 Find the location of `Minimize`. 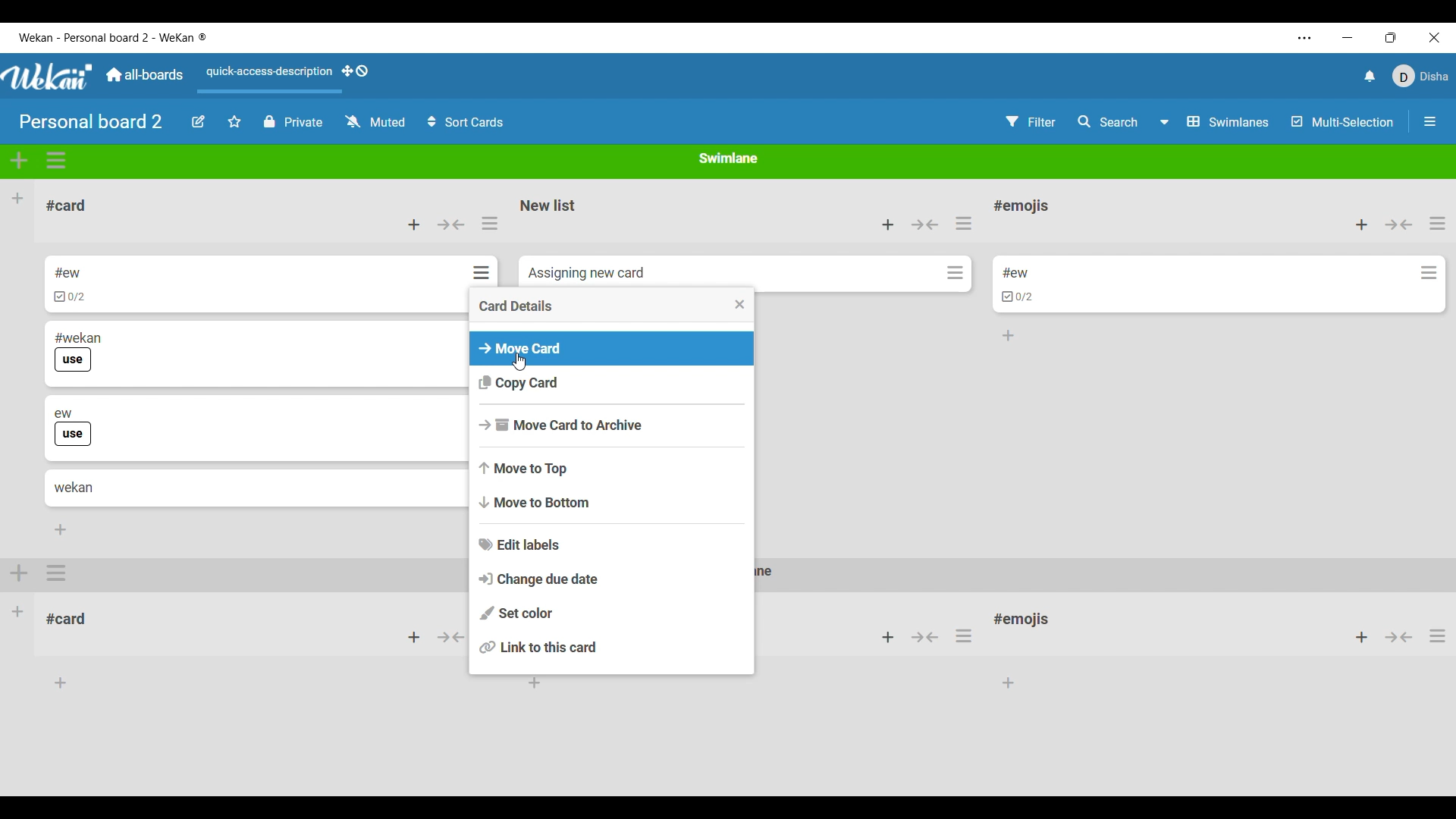

Minimize is located at coordinates (1348, 38).